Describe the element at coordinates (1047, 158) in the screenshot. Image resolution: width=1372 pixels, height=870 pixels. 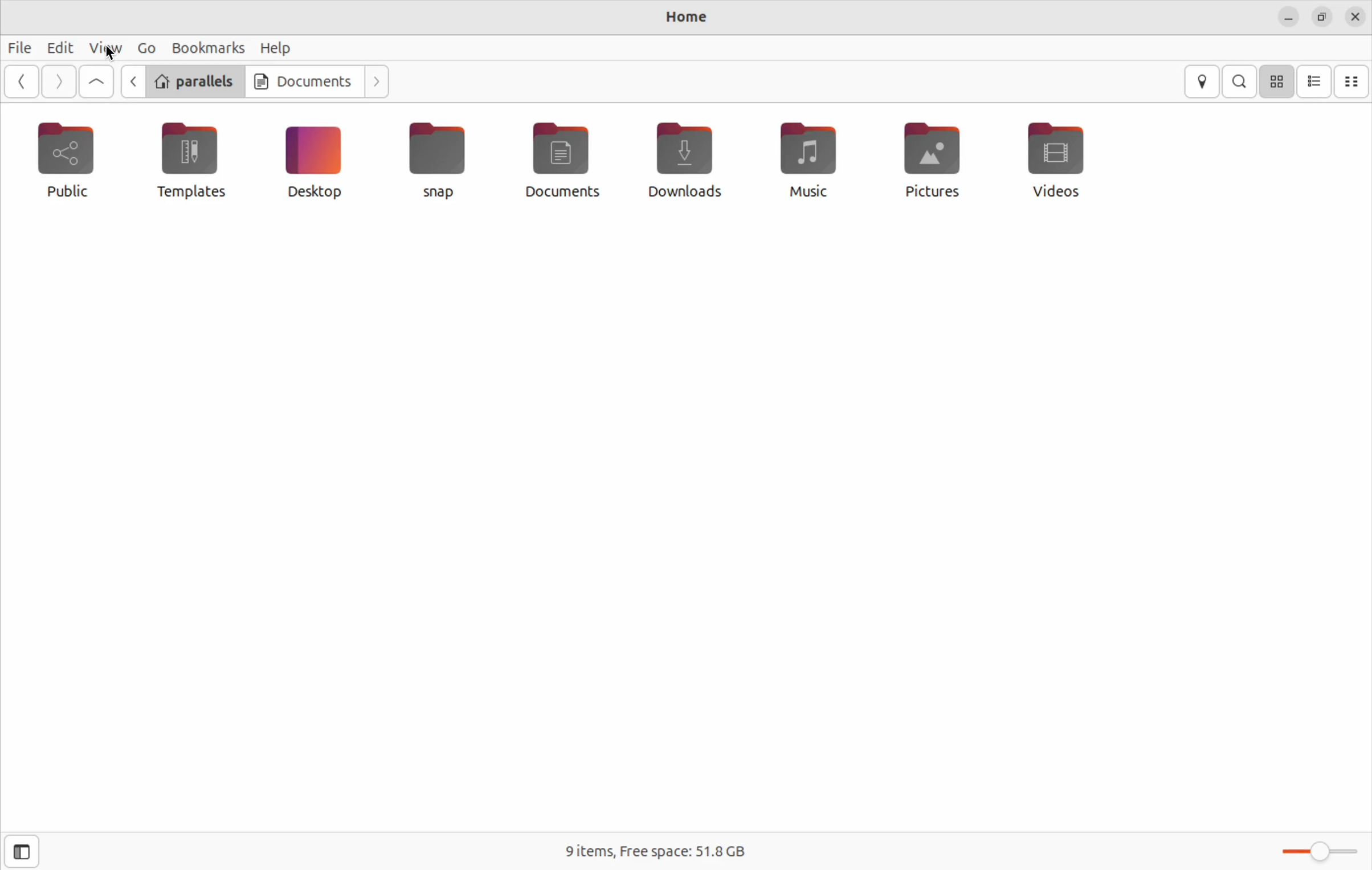
I see `vidoes` at that location.